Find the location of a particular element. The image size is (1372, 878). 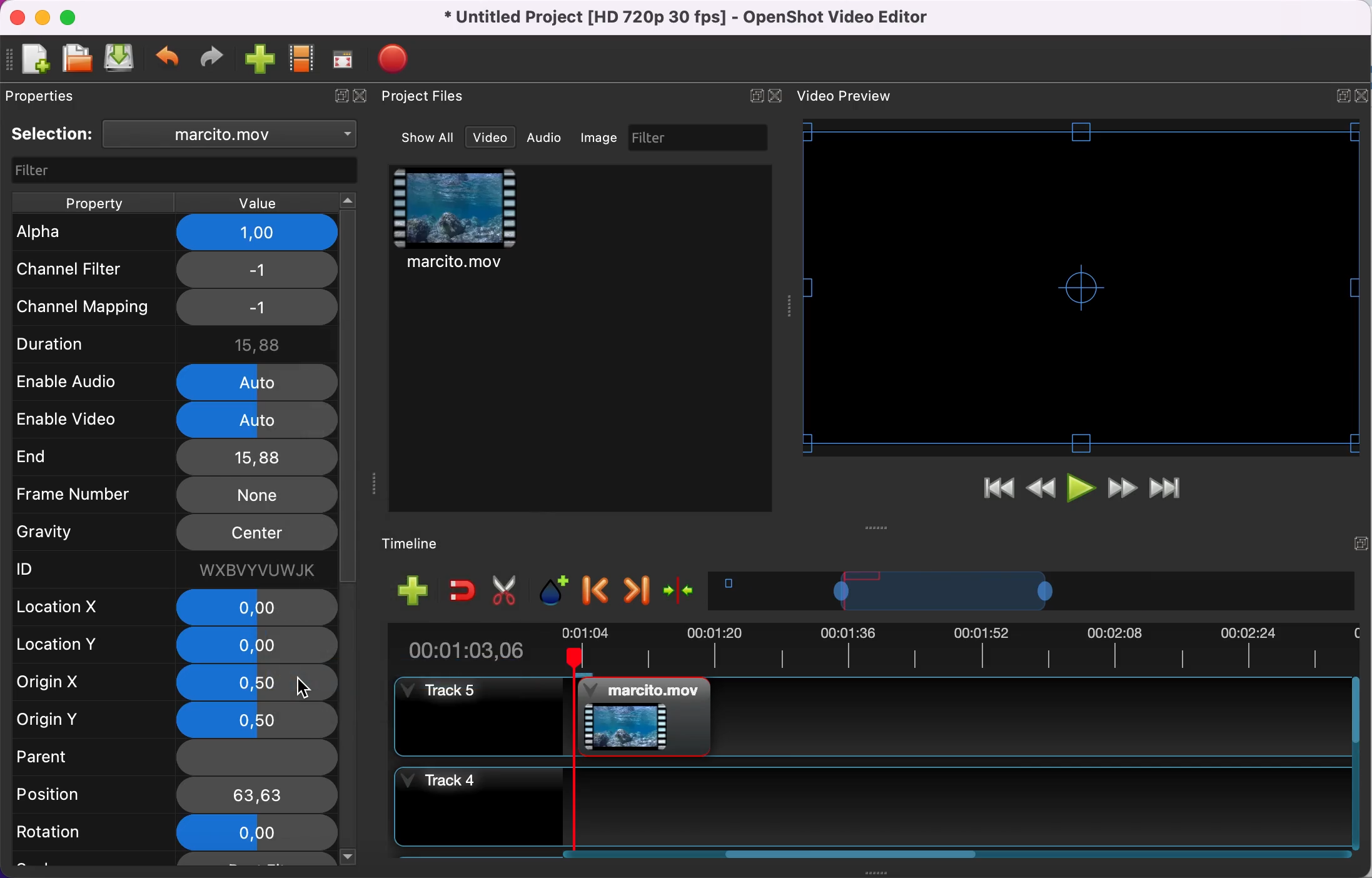

fullscreen is located at coordinates (344, 59).